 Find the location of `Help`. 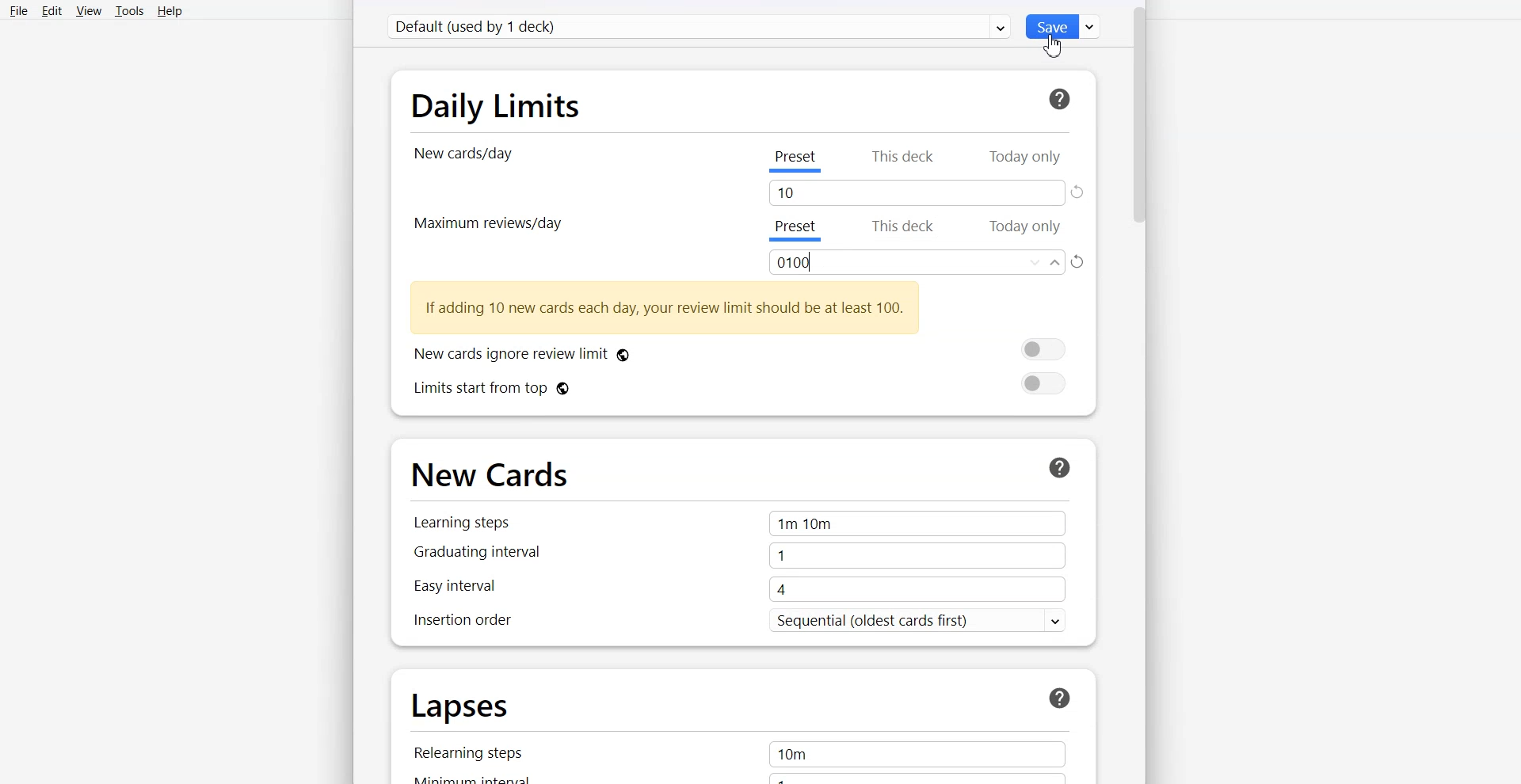

Help is located at coordinates (1062, 698).